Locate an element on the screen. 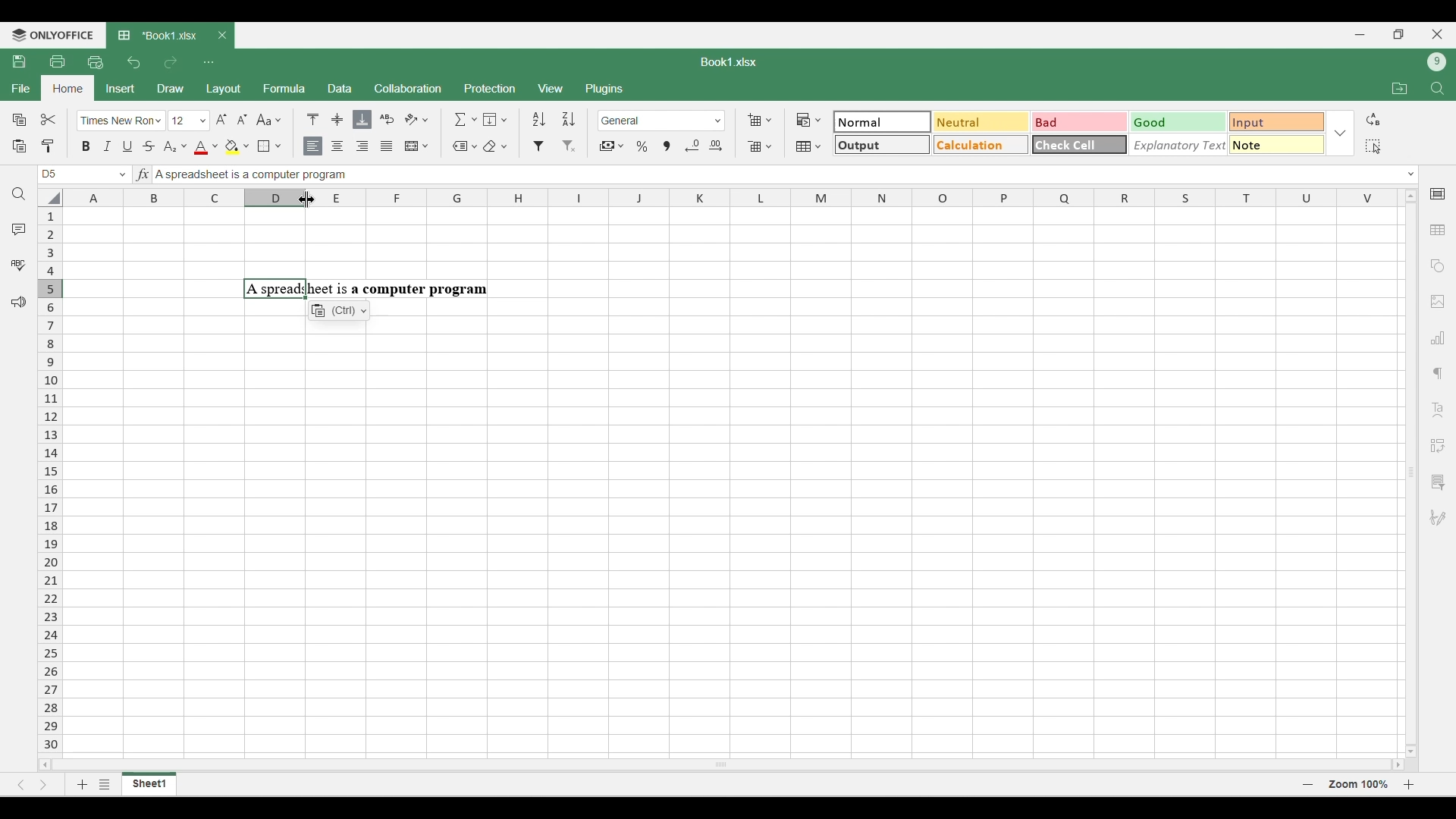  Close tab is located at coordinates (222, 36).